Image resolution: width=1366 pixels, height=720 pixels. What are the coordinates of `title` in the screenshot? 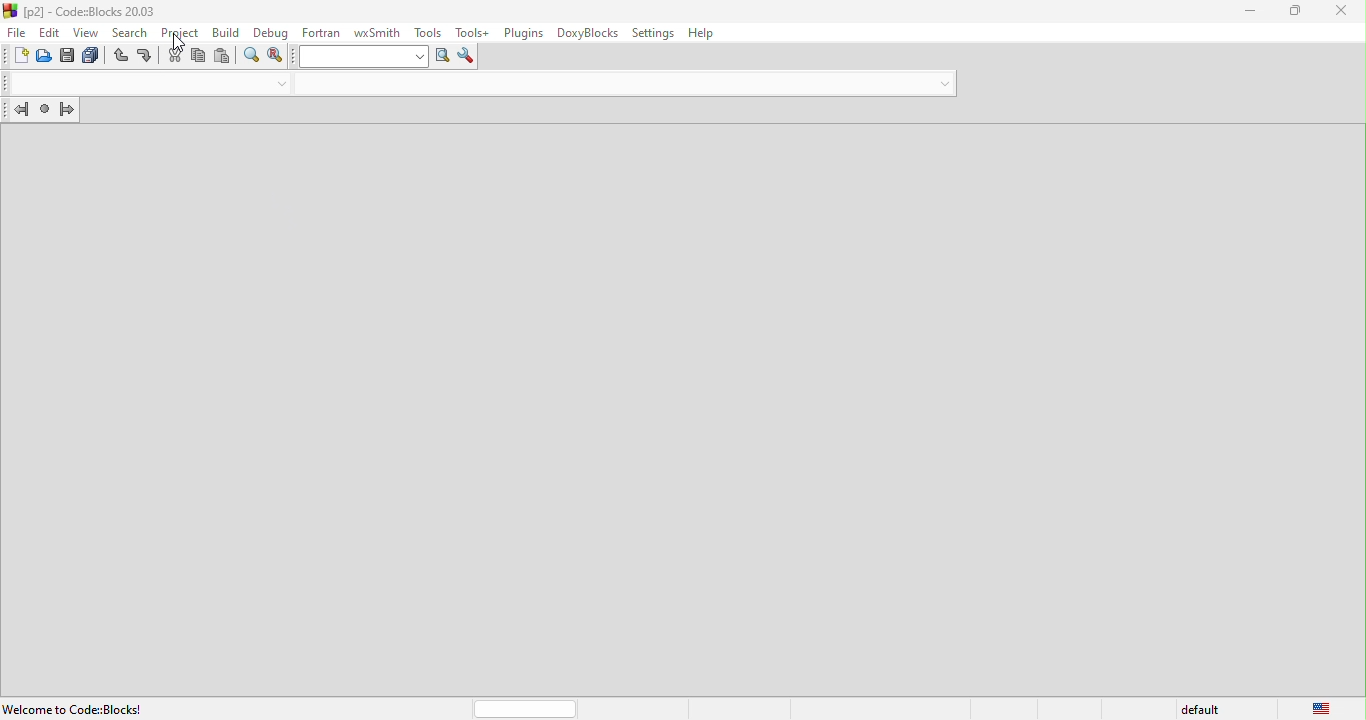 It's located at (84, 10).